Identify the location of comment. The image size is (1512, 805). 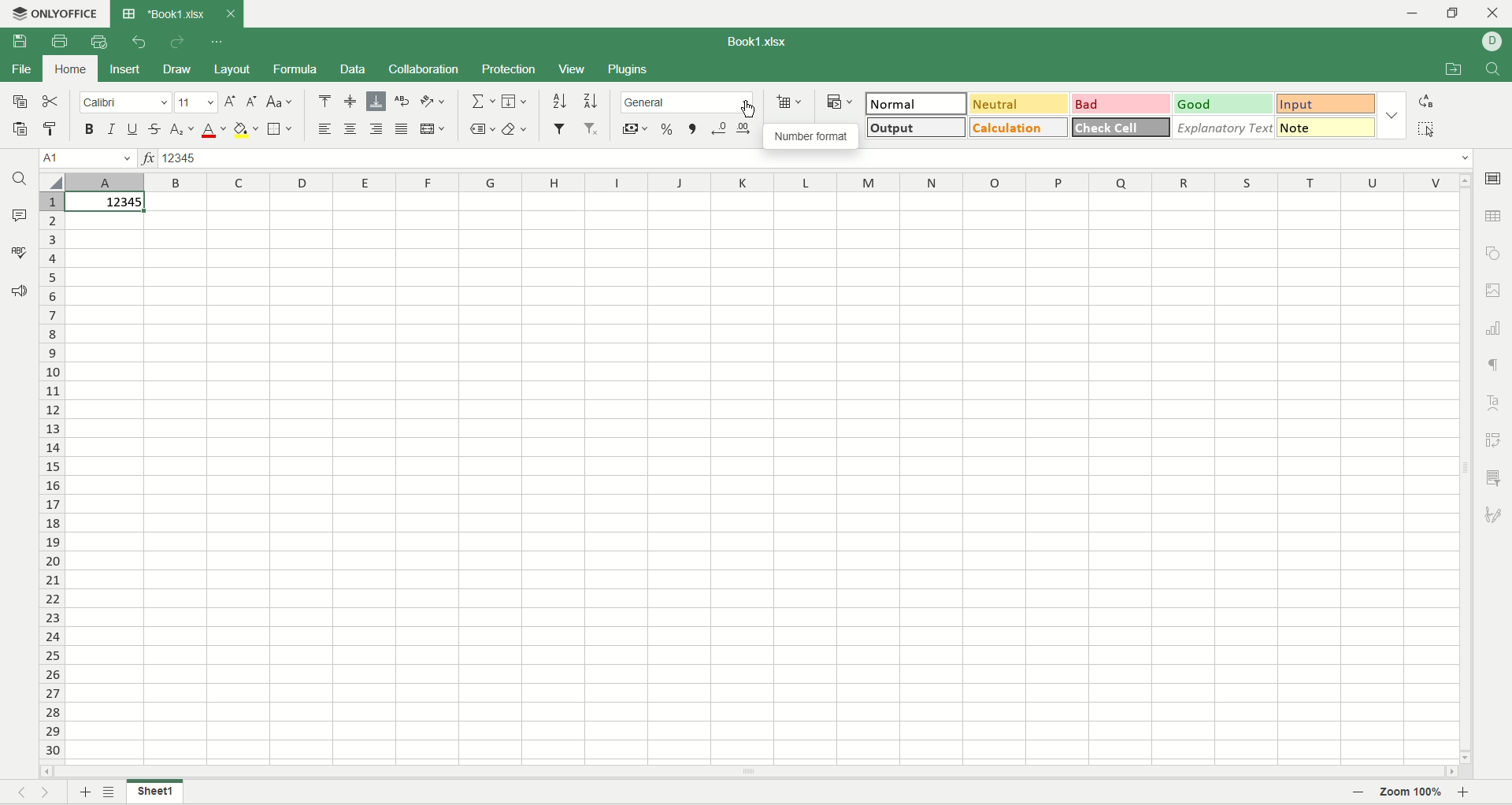
(20, 216).